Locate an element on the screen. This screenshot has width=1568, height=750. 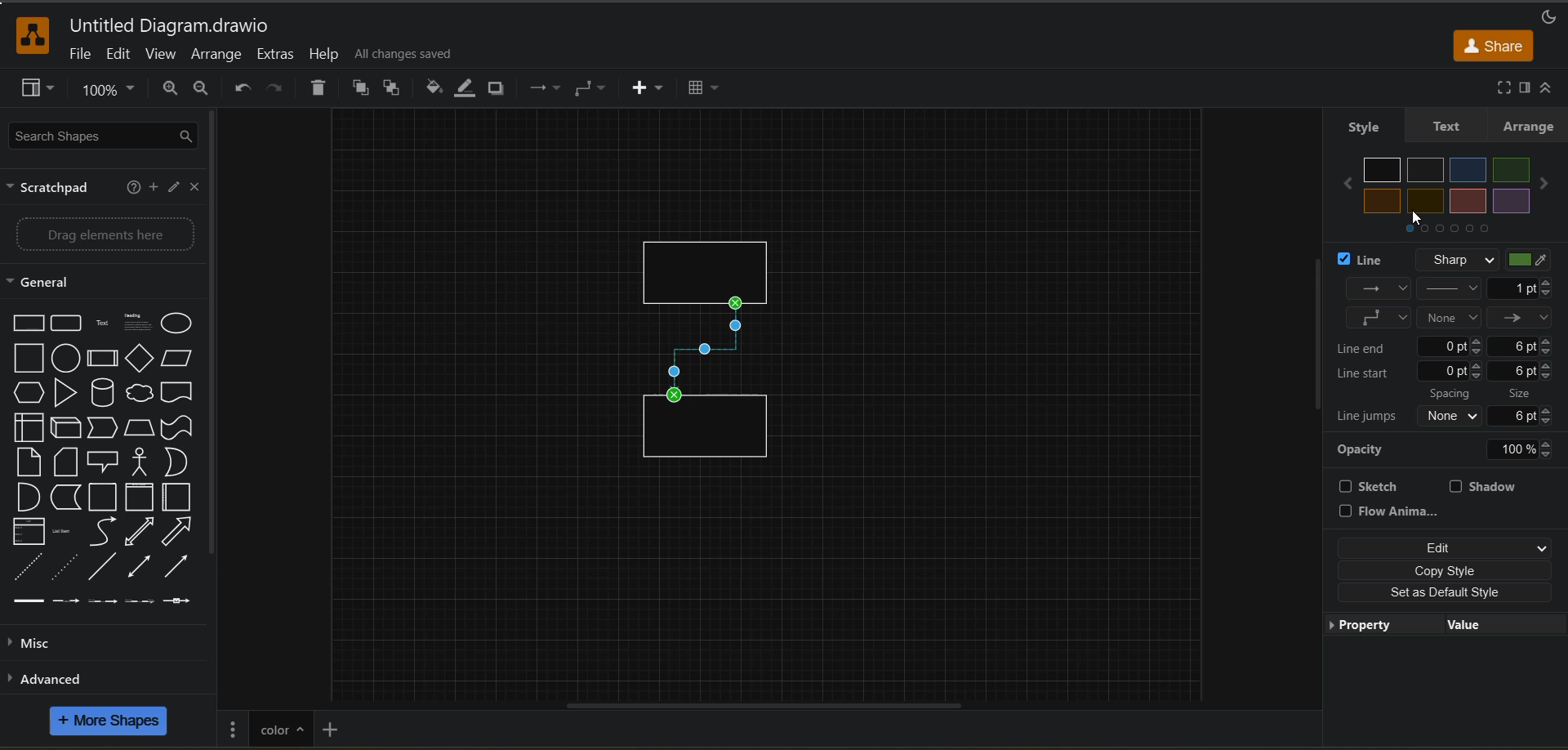
share is located at coordinates (1494, 45).